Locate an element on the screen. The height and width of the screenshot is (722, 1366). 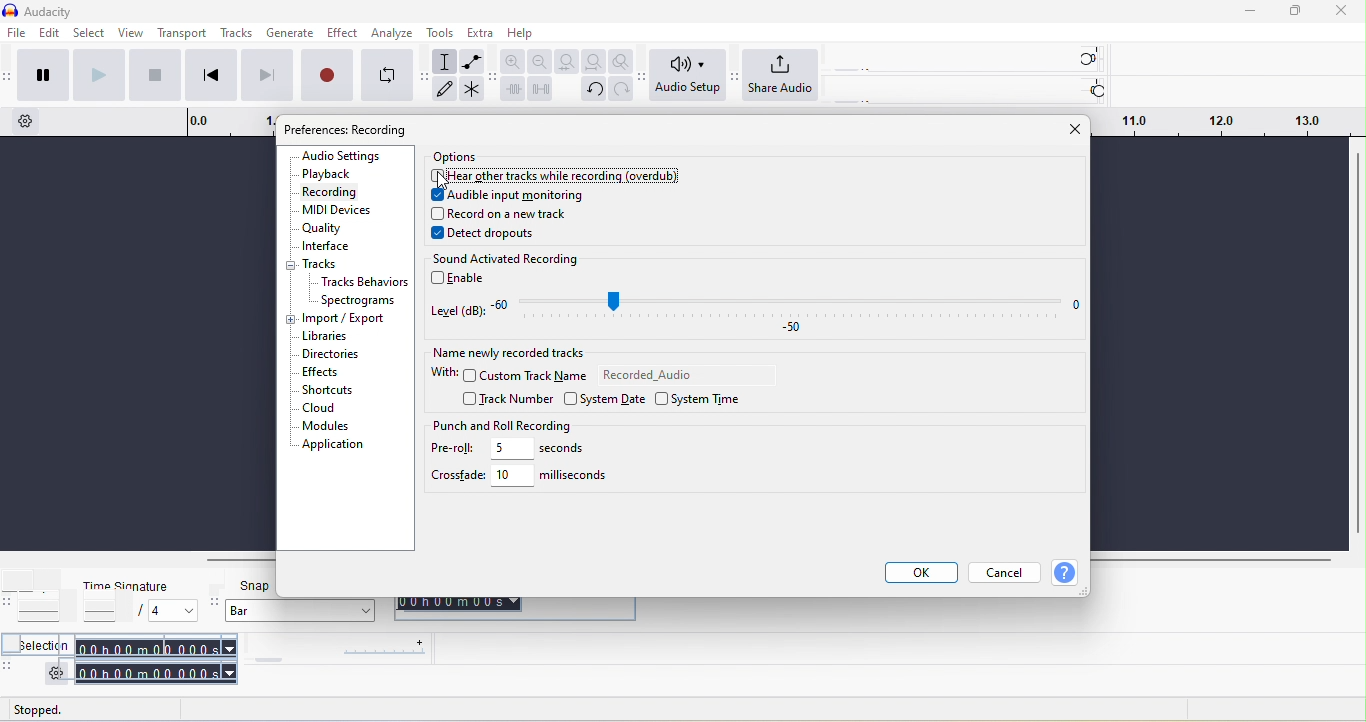
effect is located at coordinates (343, 34).